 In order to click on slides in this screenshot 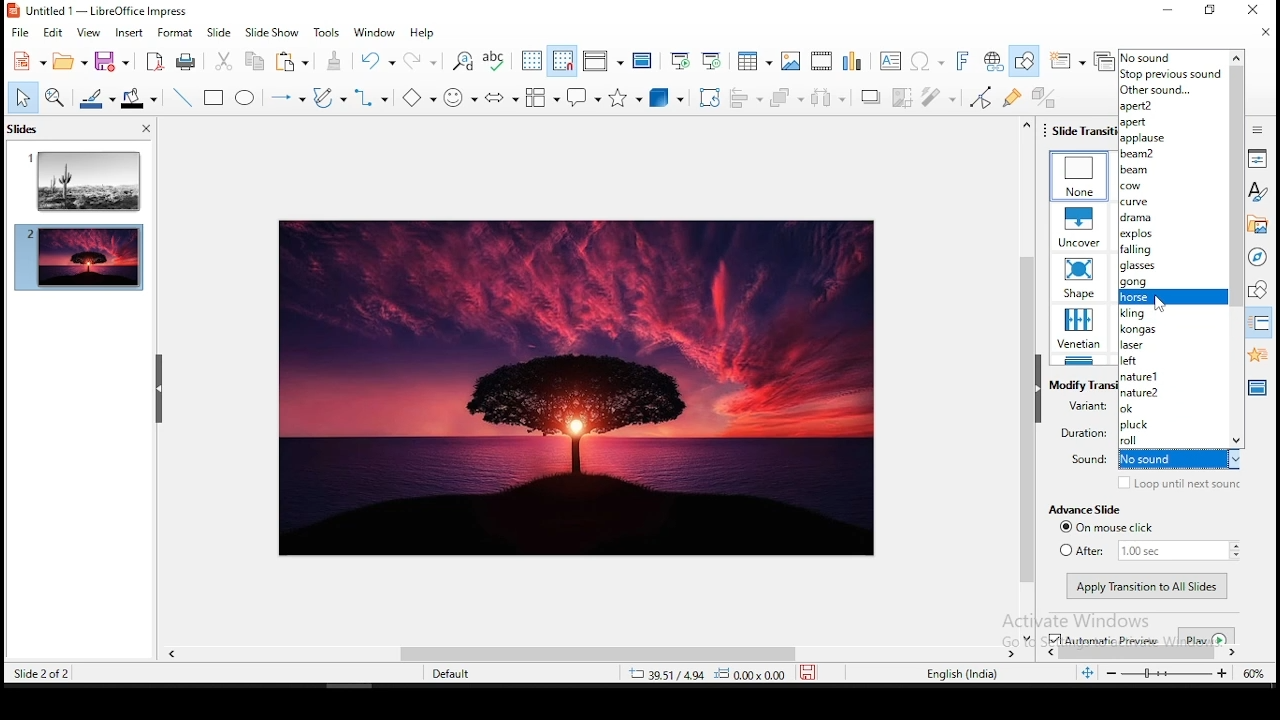, I will do `click(22, 129)`.